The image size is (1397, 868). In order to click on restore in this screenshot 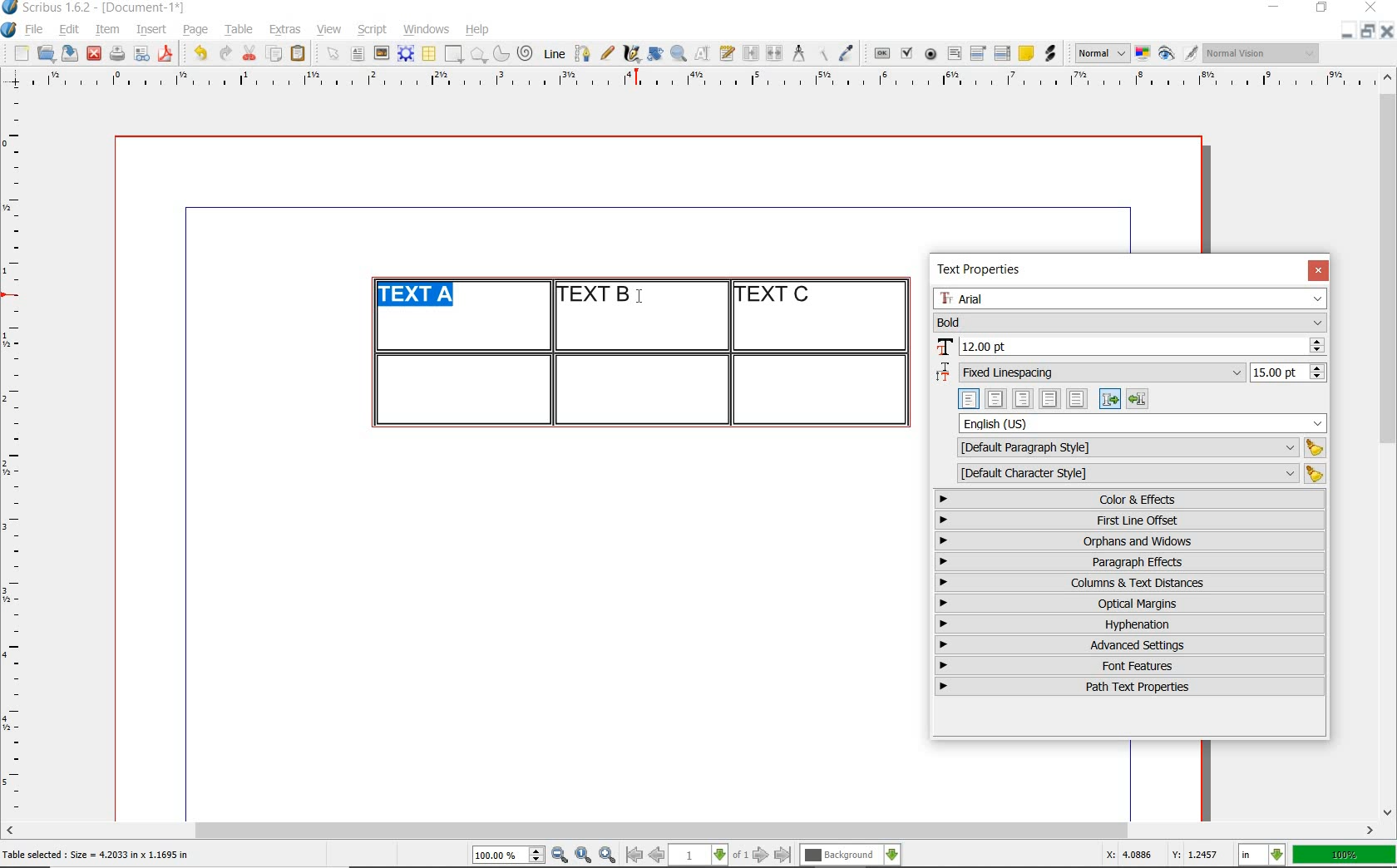, I will do `click(1322, 8)`.